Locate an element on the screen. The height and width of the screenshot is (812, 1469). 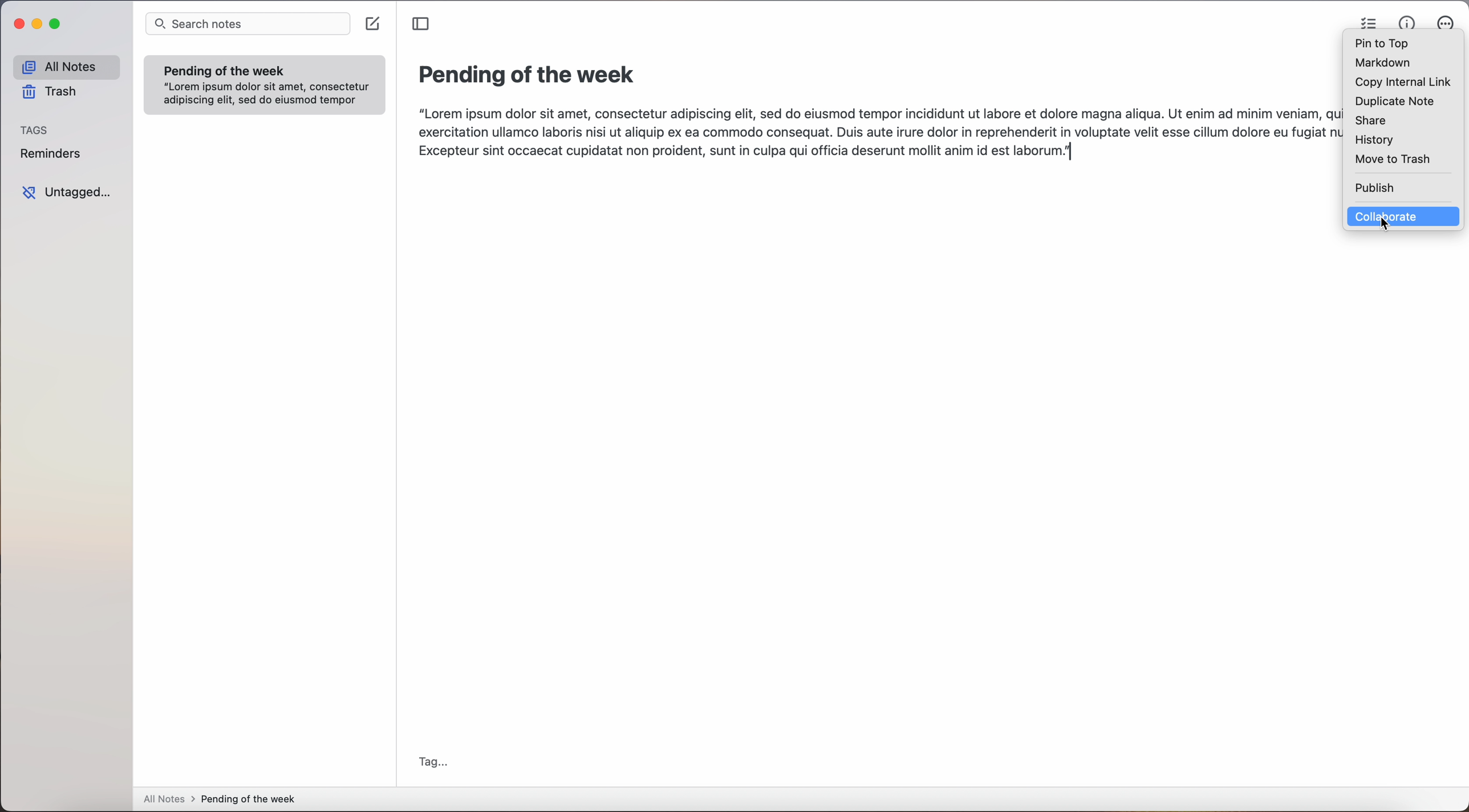
check list is located at coordinates (1365, 21).